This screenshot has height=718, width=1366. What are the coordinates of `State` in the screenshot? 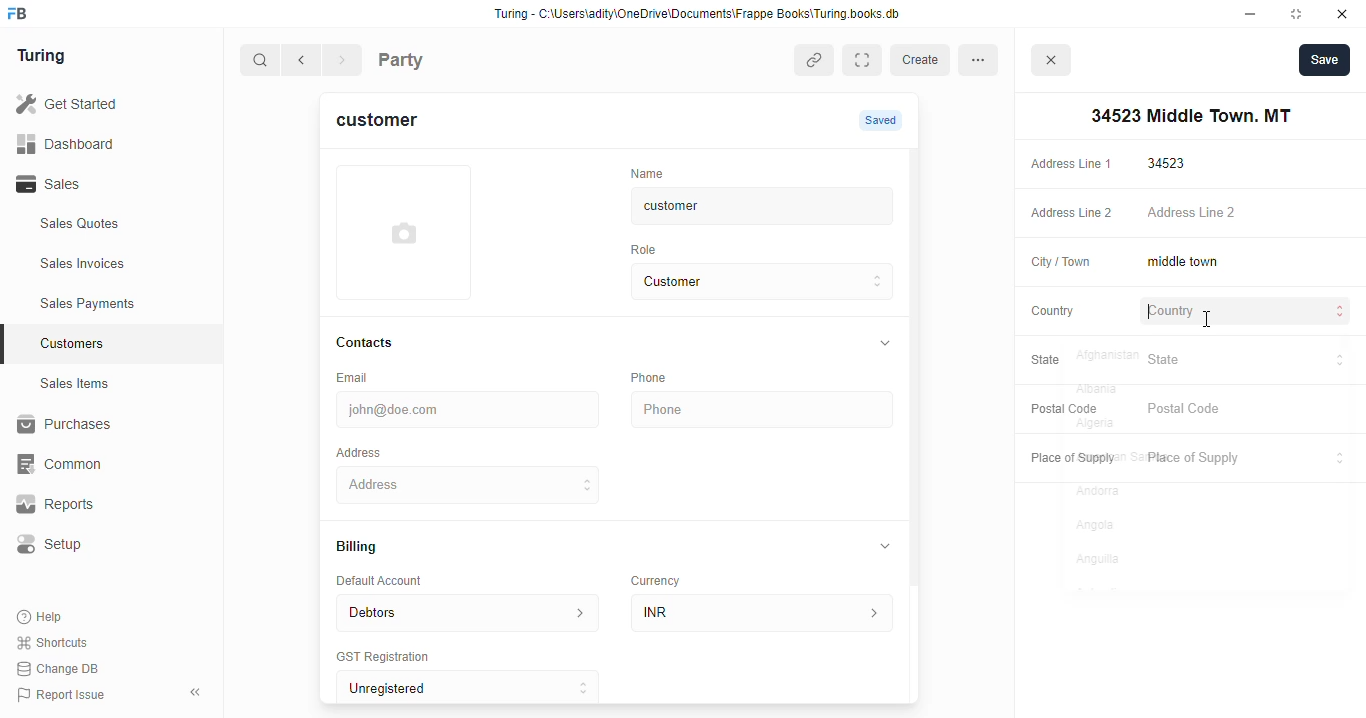 It's located at (1056, 361).